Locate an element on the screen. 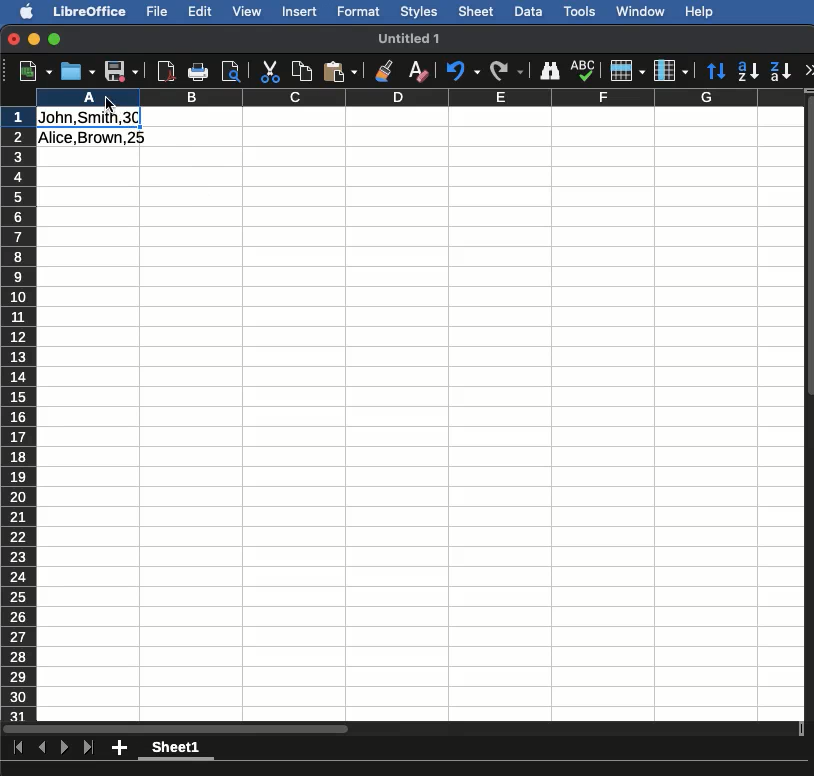 The height and width of the screenshot is (776, 814). Close is located at coordinates (13, 39).